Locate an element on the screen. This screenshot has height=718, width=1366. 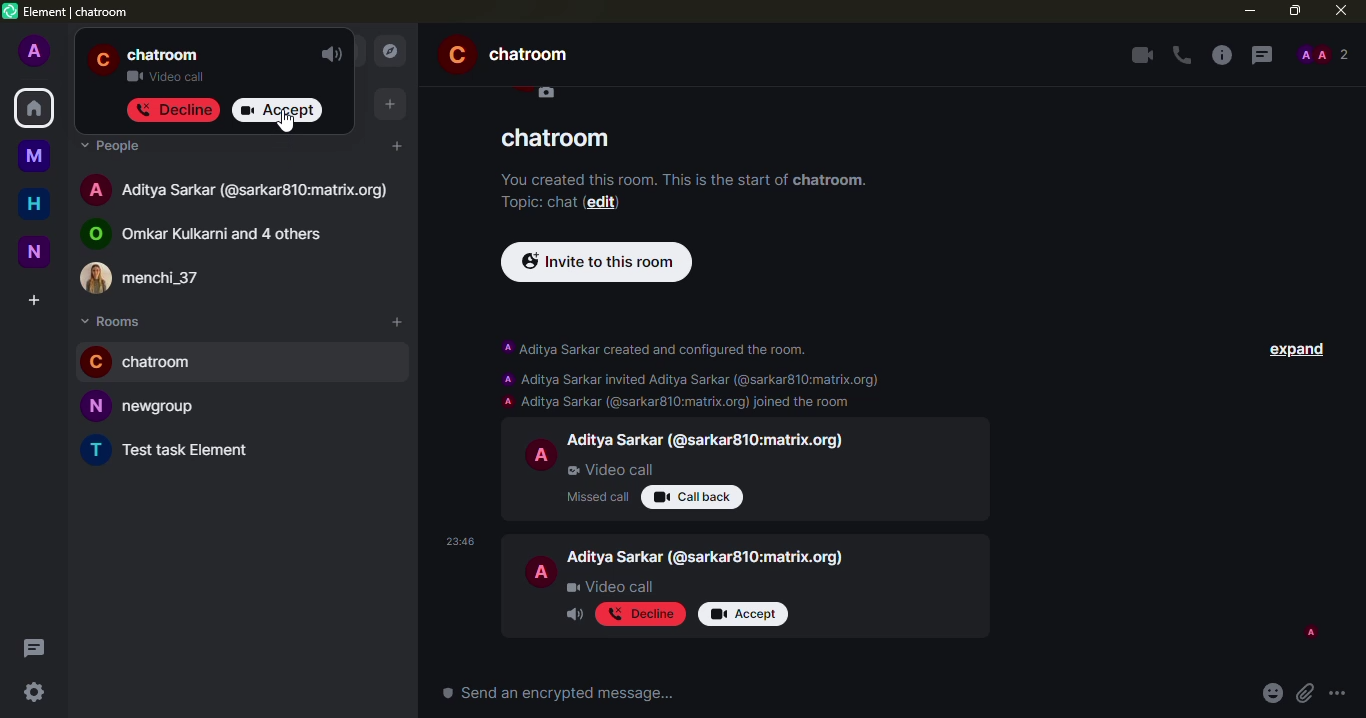
©  Omkar Kulkarni and 4 others is located at coordinates (220, 235).